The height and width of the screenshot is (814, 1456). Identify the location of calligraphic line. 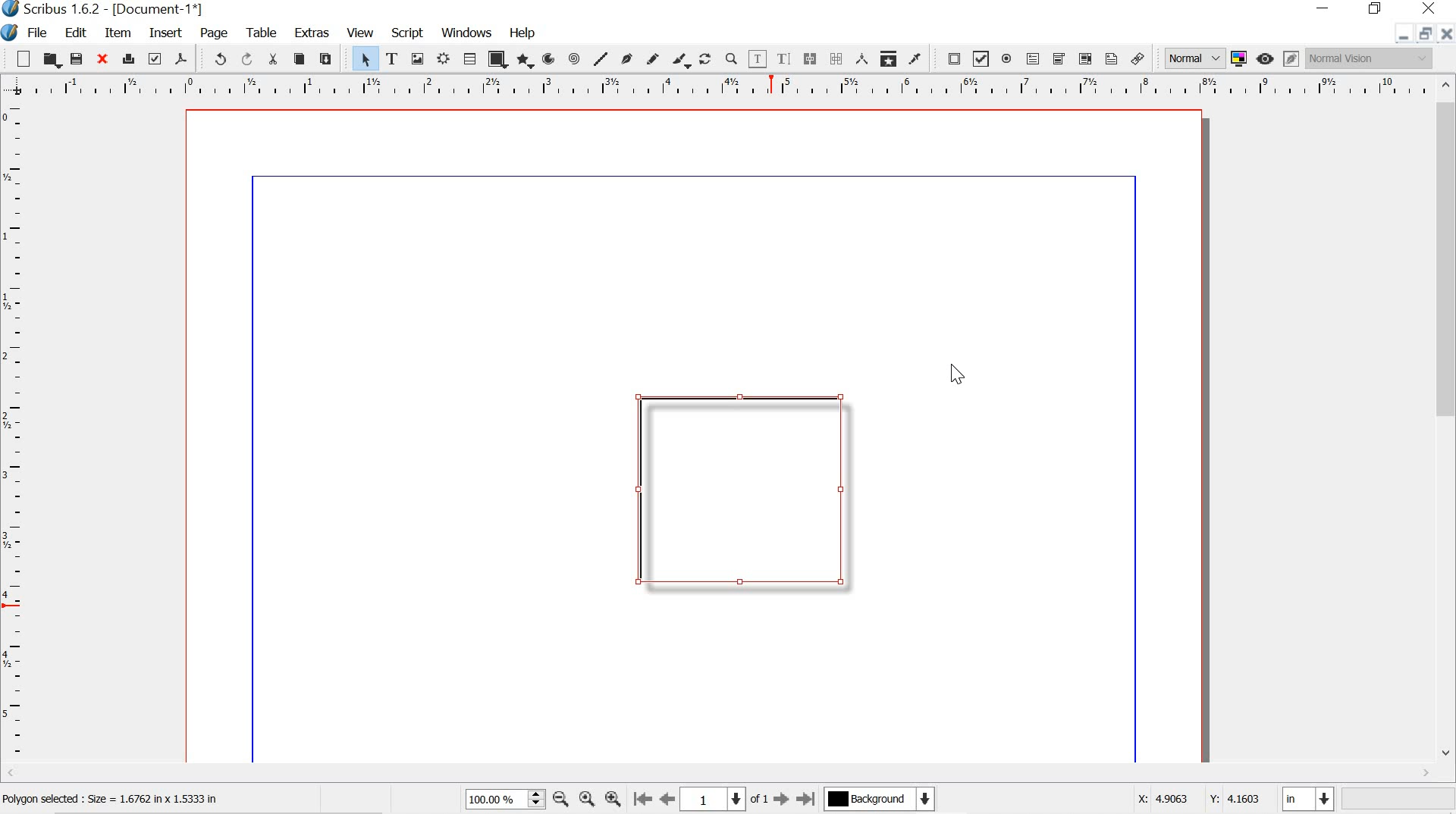
(681, 60).